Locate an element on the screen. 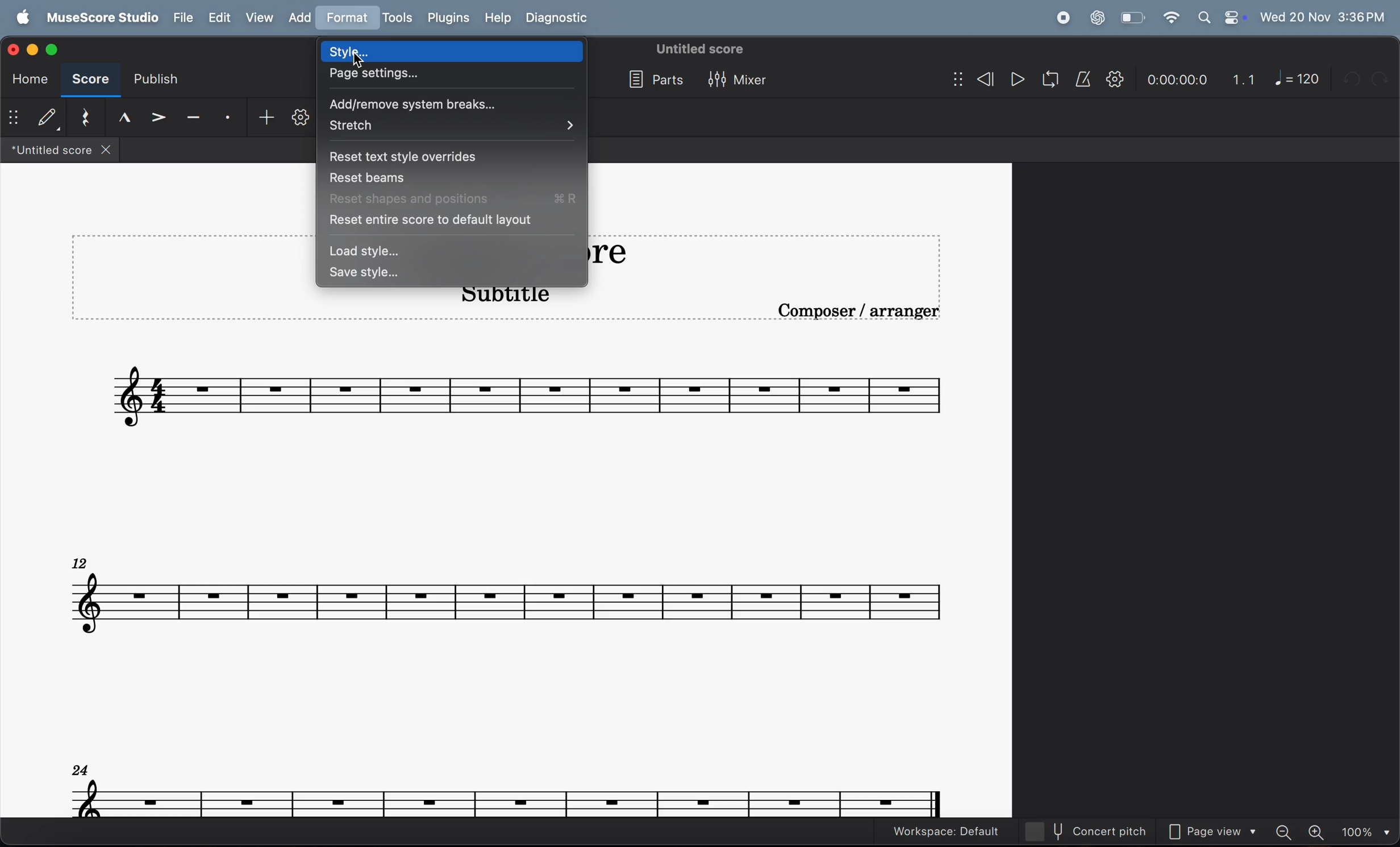  reset is located at coordinates (86, 118).